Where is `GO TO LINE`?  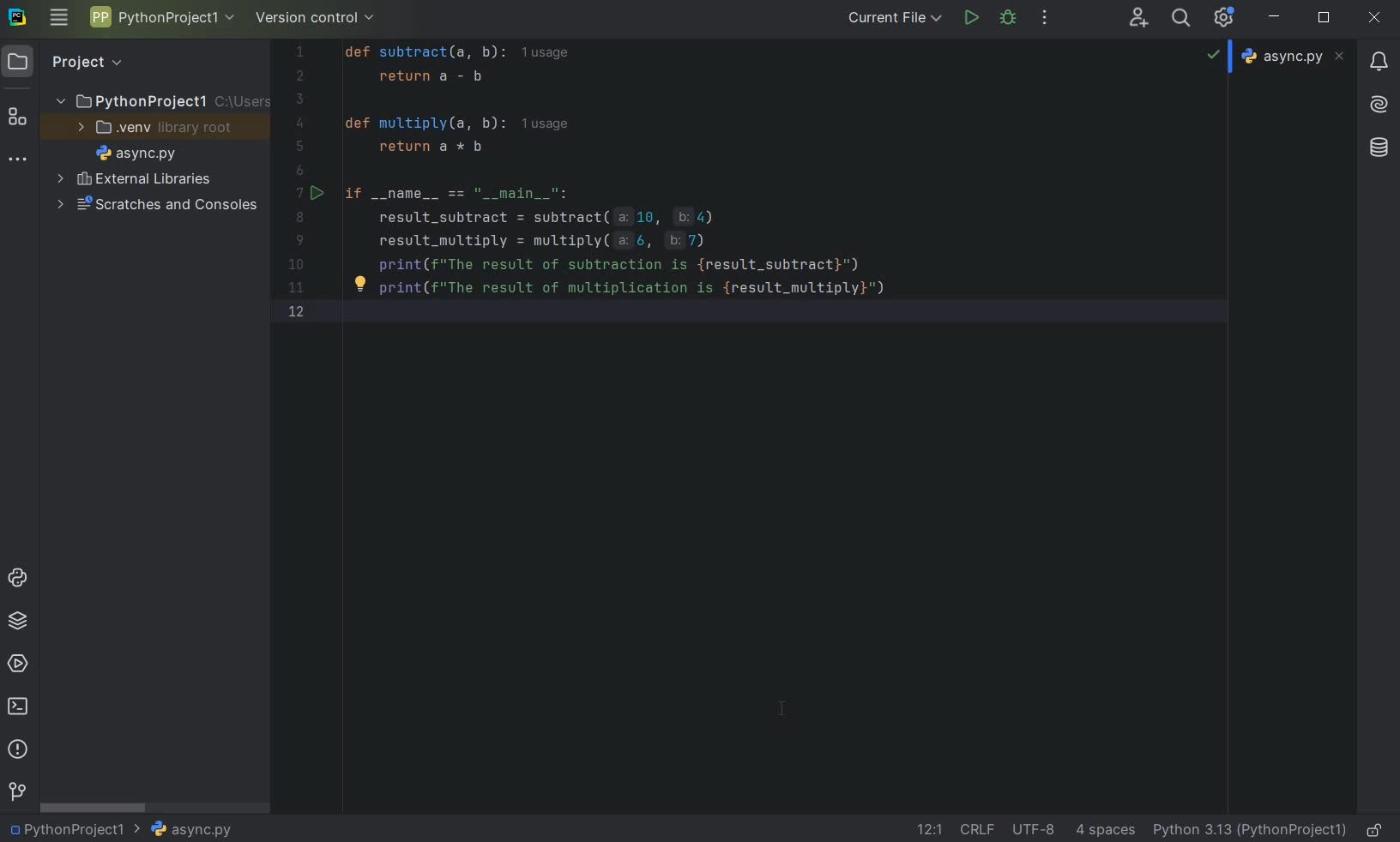 GO TO LINE is located at coordinates (927, 829).